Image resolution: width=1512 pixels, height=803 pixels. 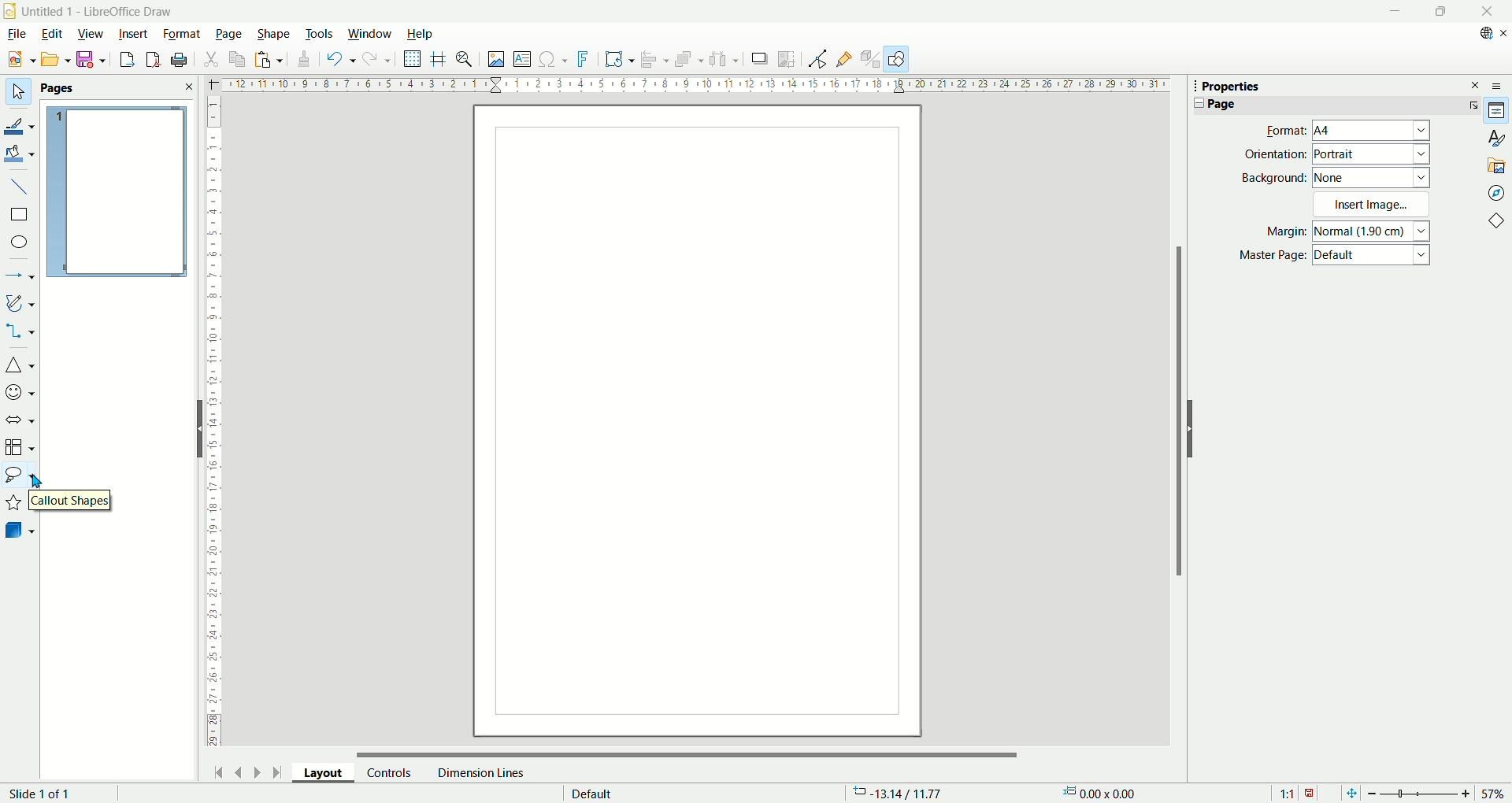 I want to click on format, so click(x=182, y=33).